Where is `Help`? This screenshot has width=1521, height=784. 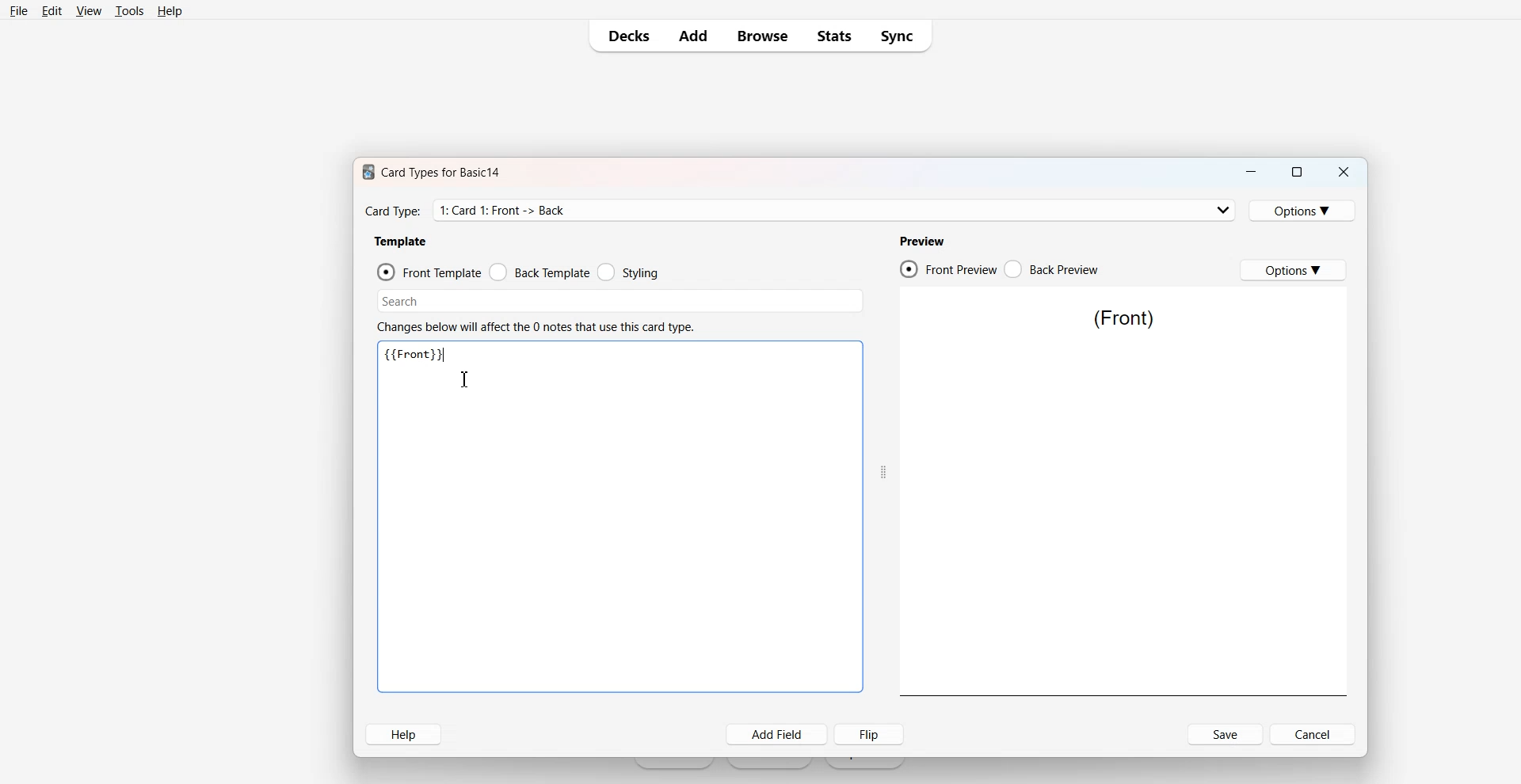 Help is located at coordinates (404, 734).